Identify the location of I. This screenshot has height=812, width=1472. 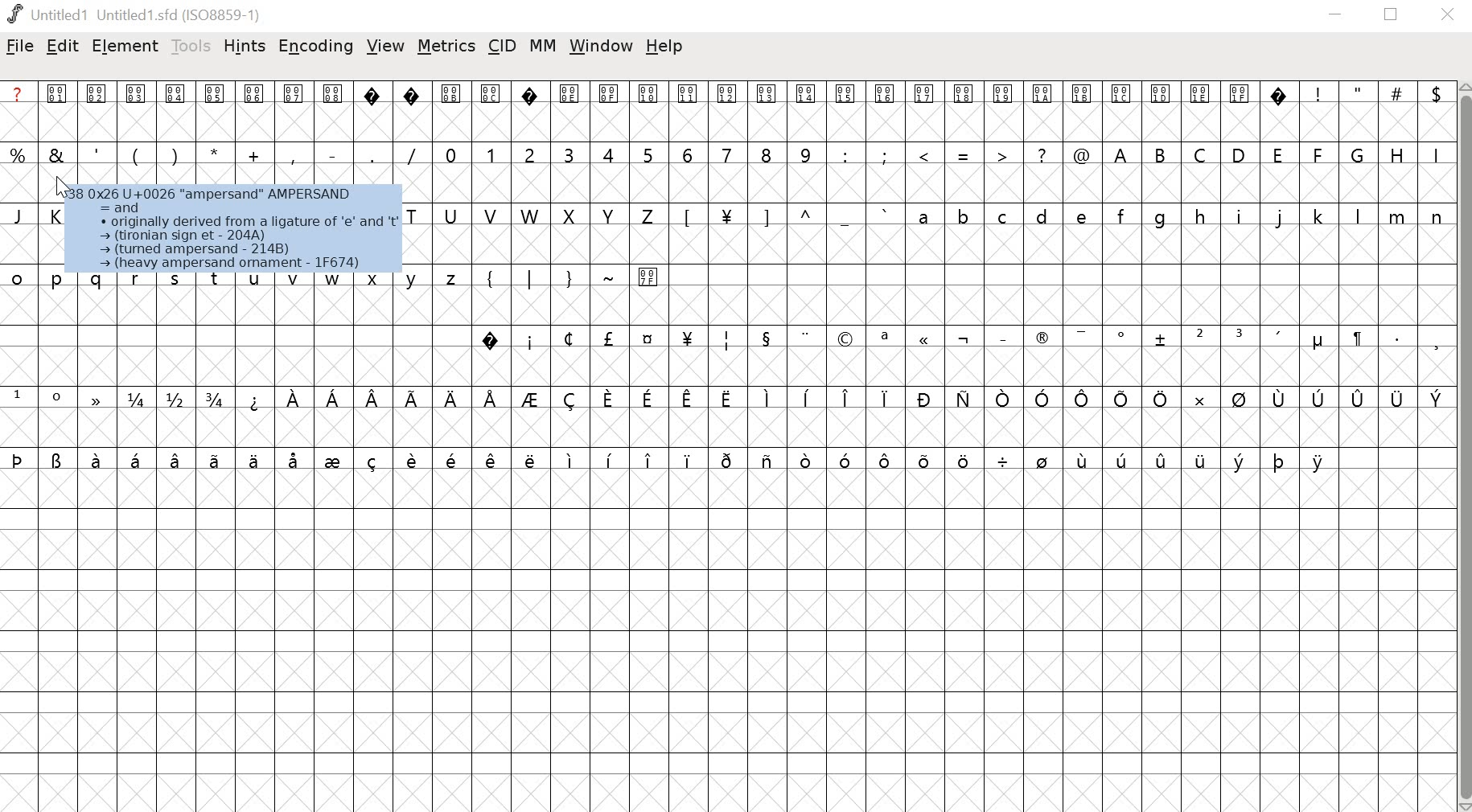
(1434, 154).